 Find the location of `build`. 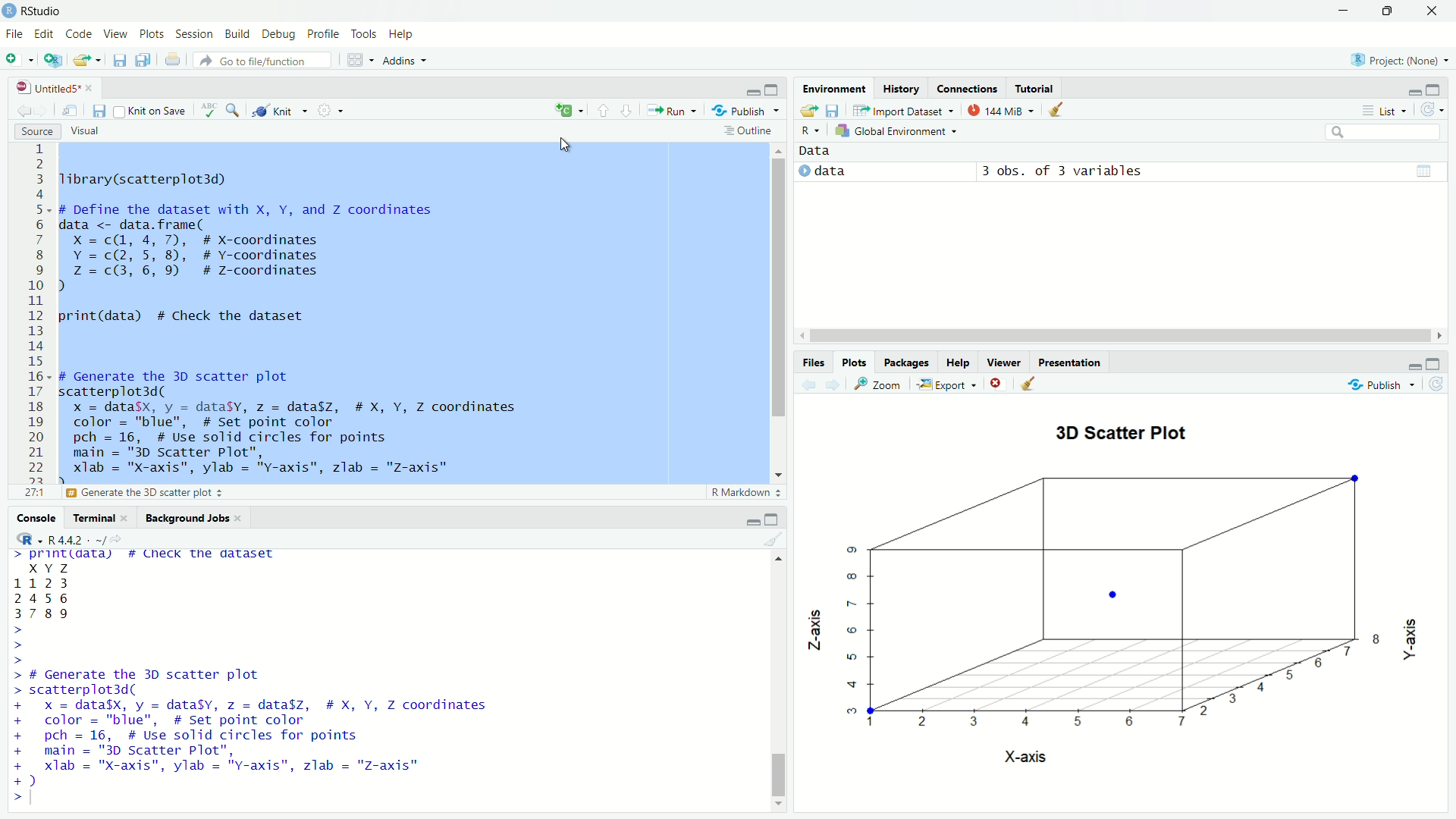

build is located at coordinates (240, 35).